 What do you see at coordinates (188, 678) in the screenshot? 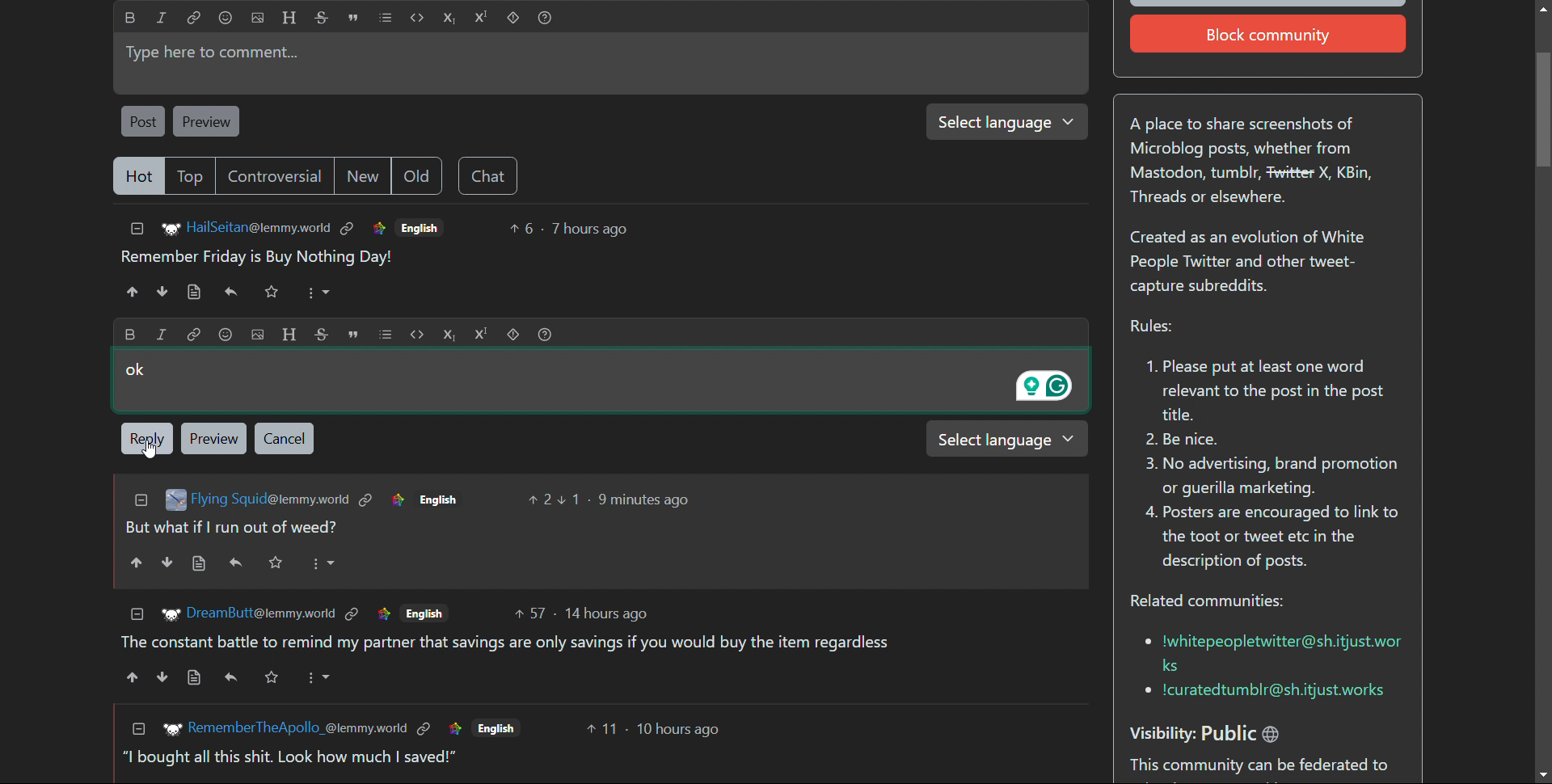
I see `view source` at bounding box center [188, 678].